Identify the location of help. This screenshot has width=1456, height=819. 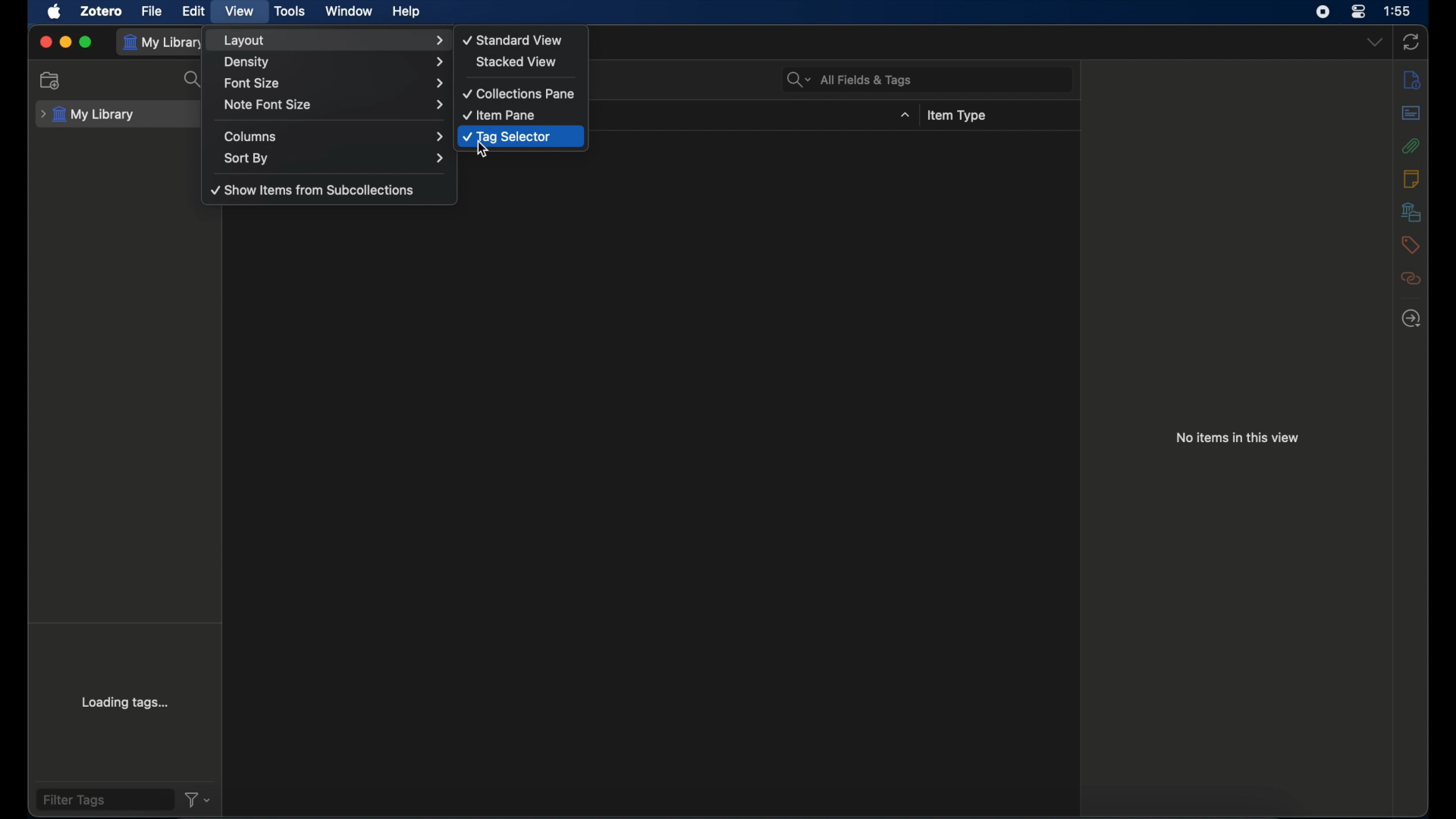
(406, 12).